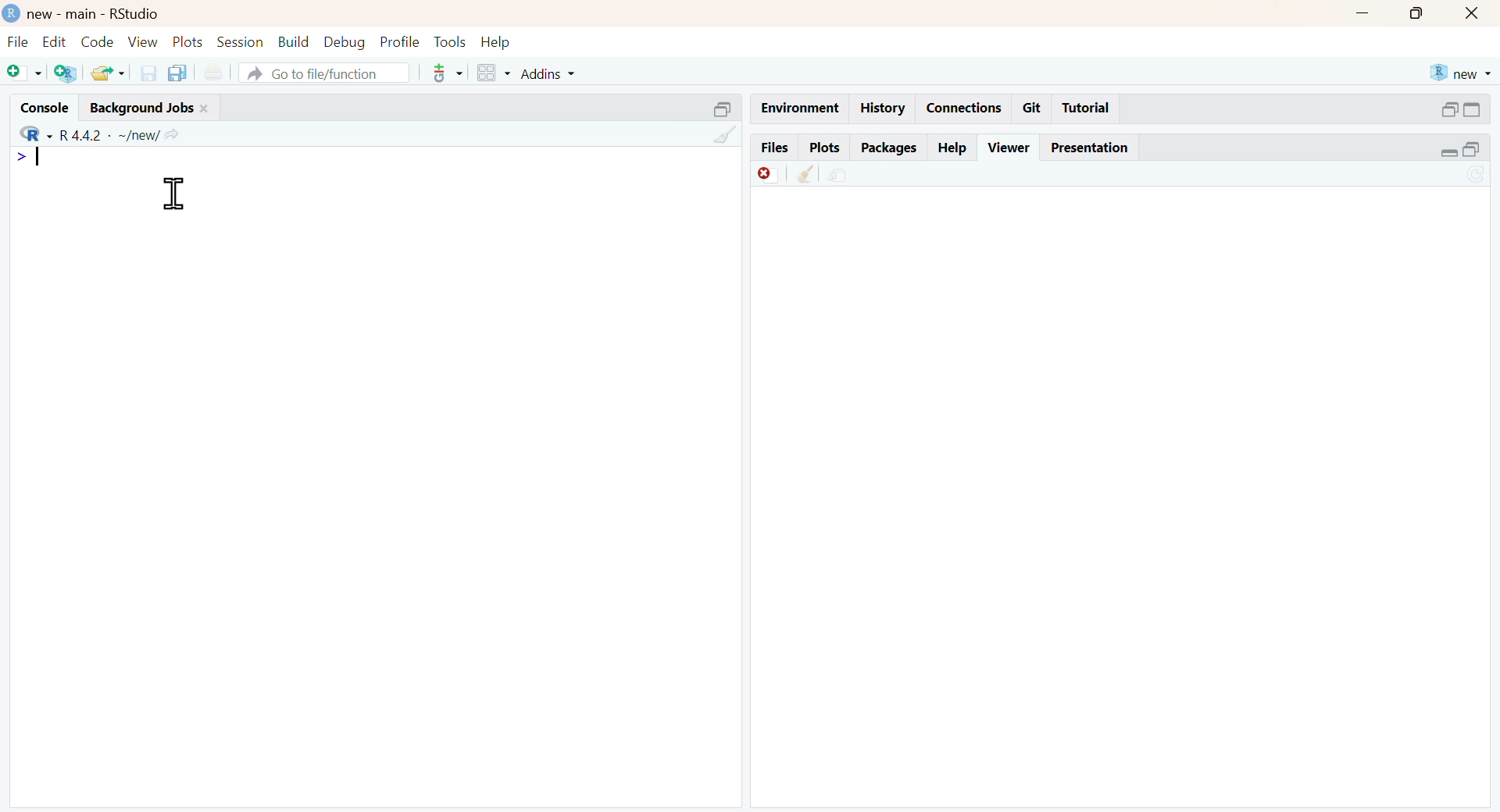 The image size is (1500, 812). I want to click on clean, so click(806, 175).